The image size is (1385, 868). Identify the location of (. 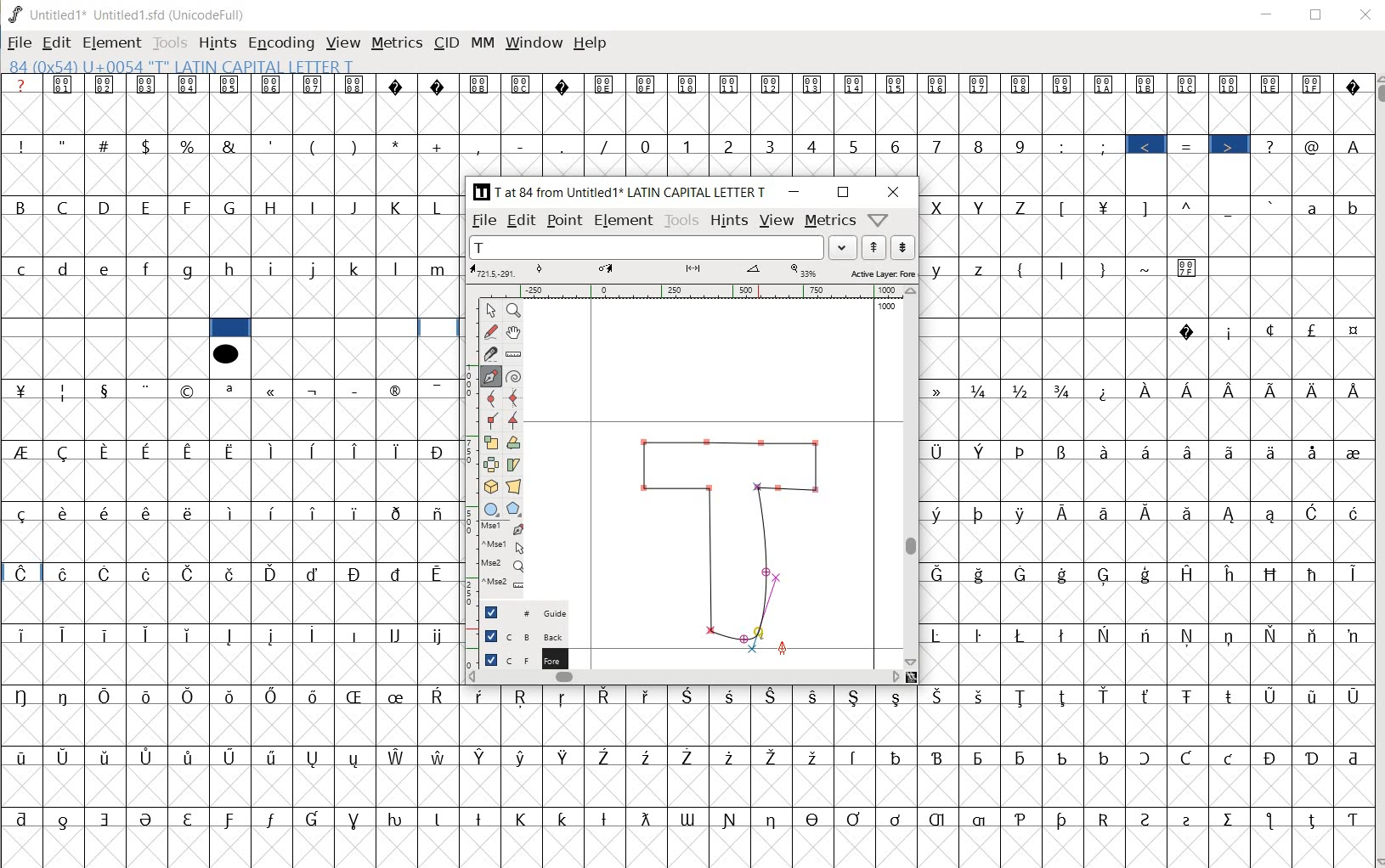
(1022, 268).